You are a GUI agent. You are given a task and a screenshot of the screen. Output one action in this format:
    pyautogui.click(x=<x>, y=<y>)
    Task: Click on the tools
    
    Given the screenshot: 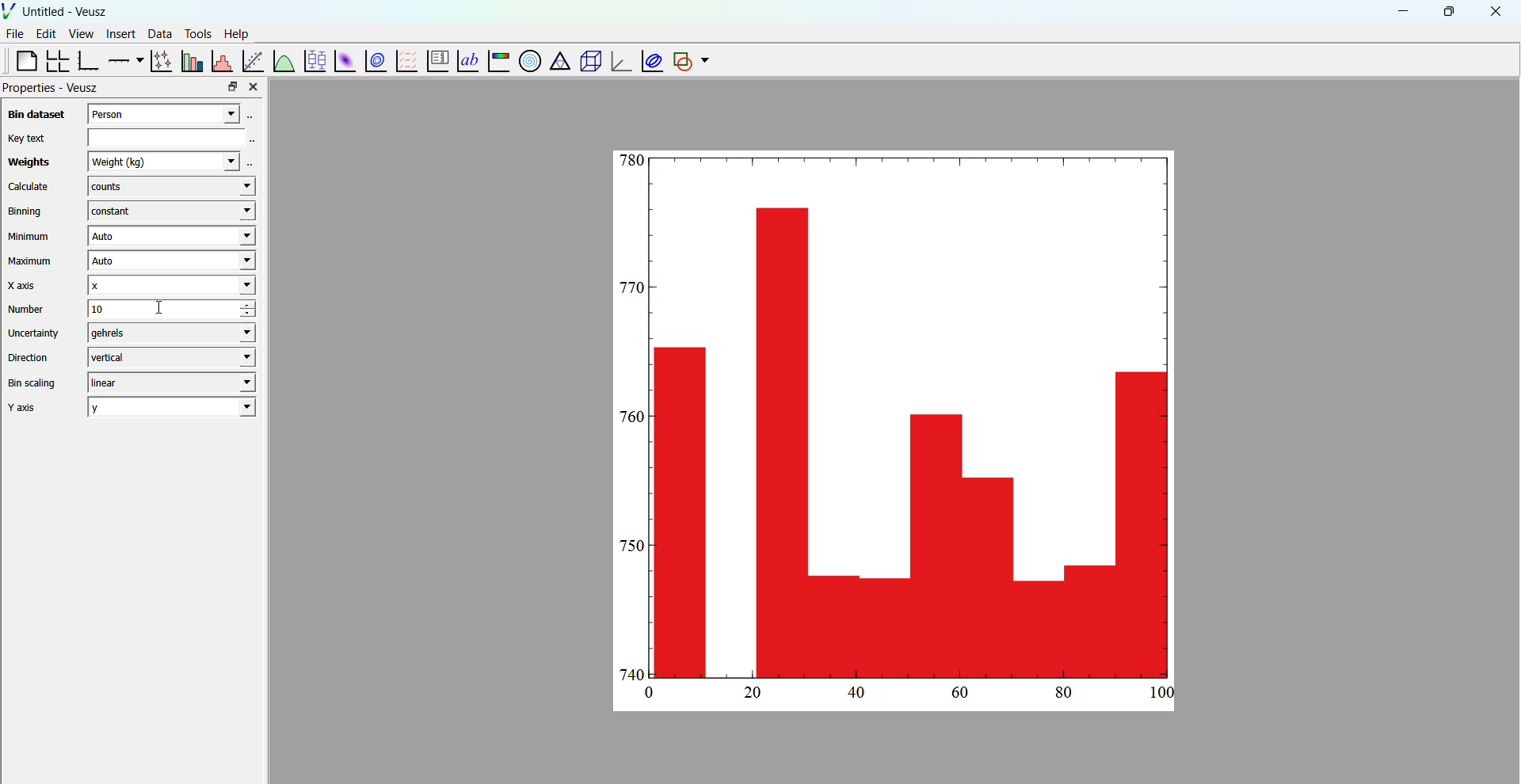 What is the action you would take?
    pyautogui.click(x=196, y=33)
    